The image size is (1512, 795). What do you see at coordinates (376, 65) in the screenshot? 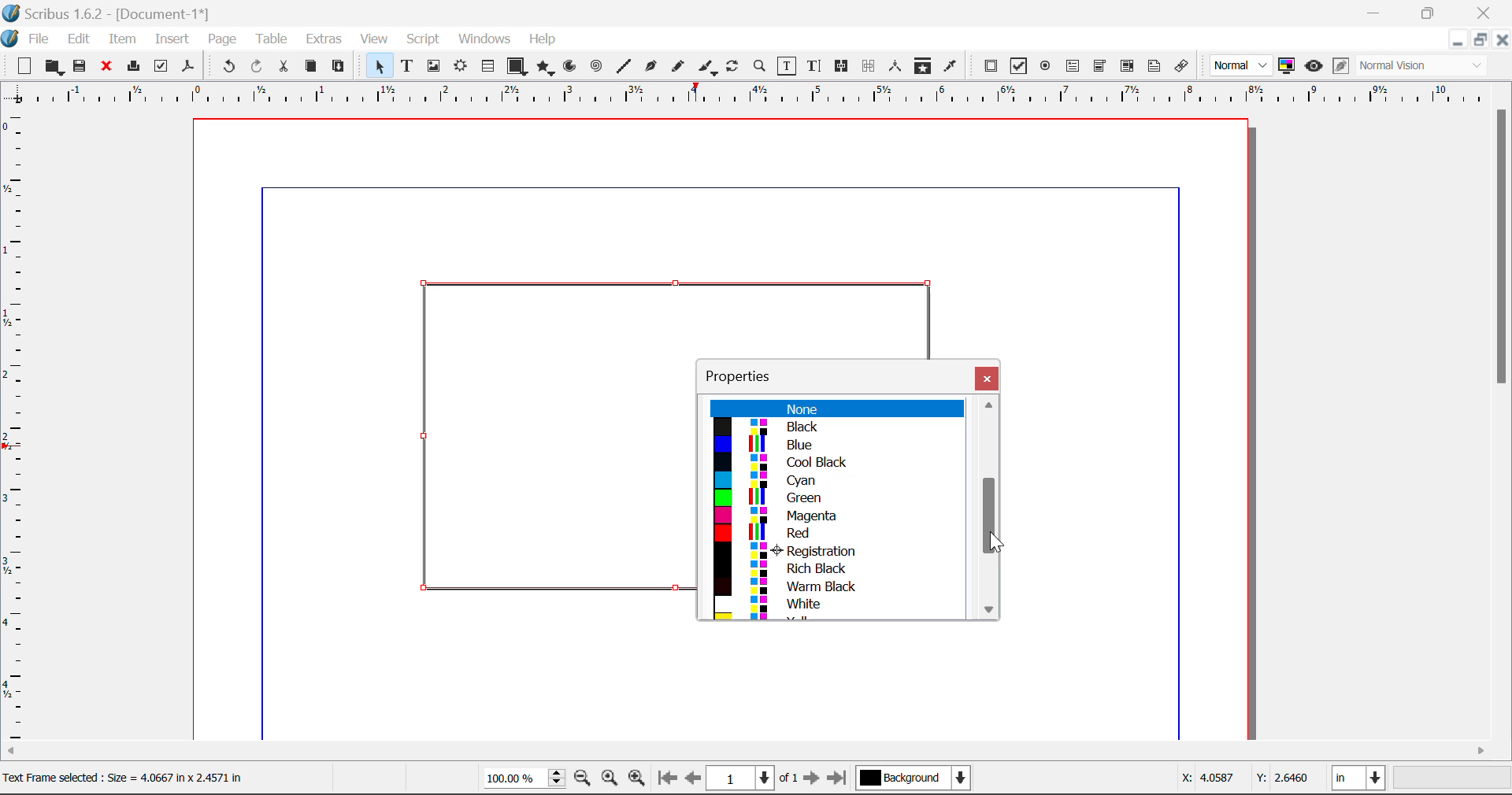
I see `Select` at bounding box center [376, 65].